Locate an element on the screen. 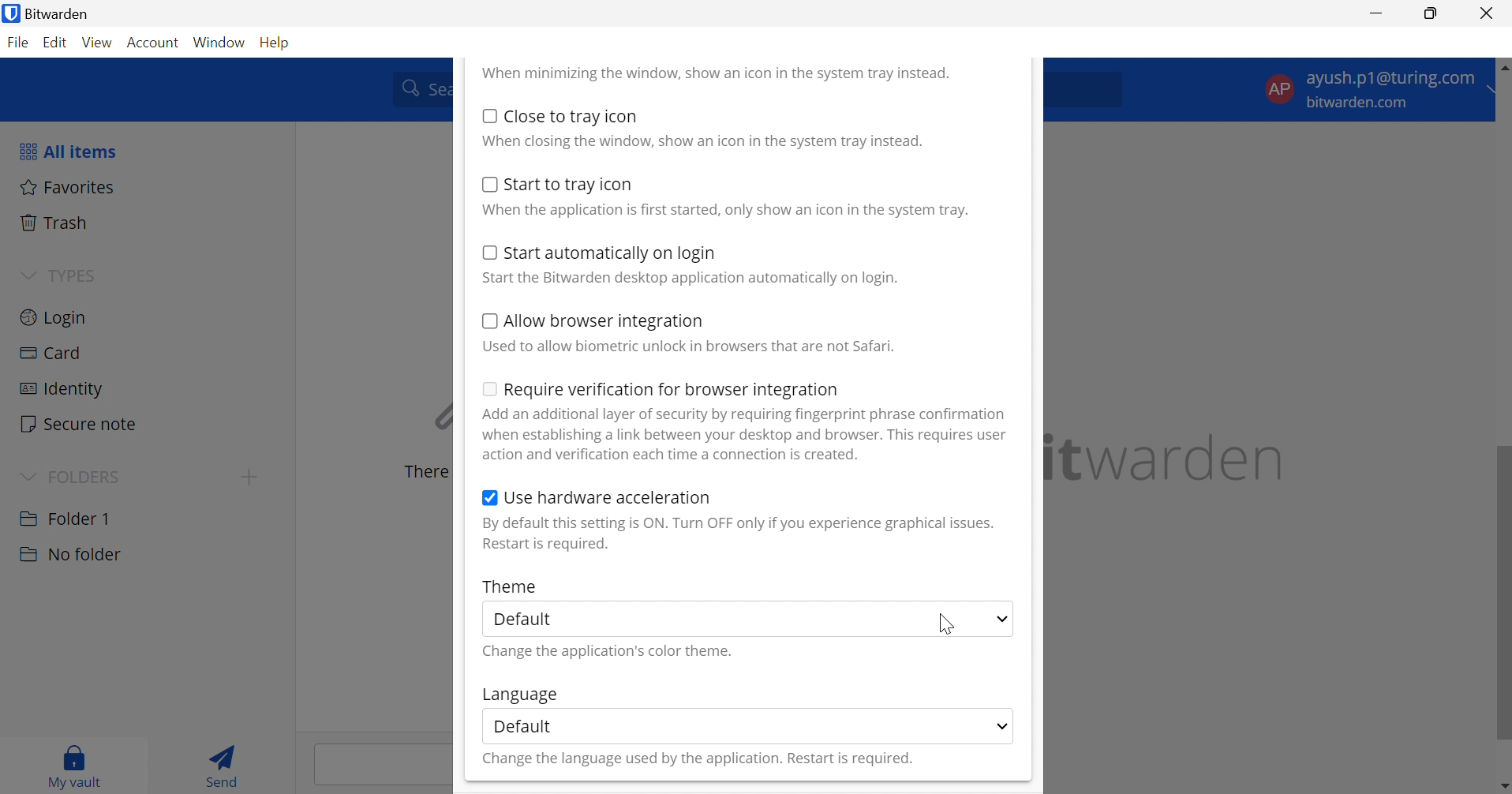 The height and width of the screenshot is (794, 1512). Bitwarden is located at coordinates (63, 13).